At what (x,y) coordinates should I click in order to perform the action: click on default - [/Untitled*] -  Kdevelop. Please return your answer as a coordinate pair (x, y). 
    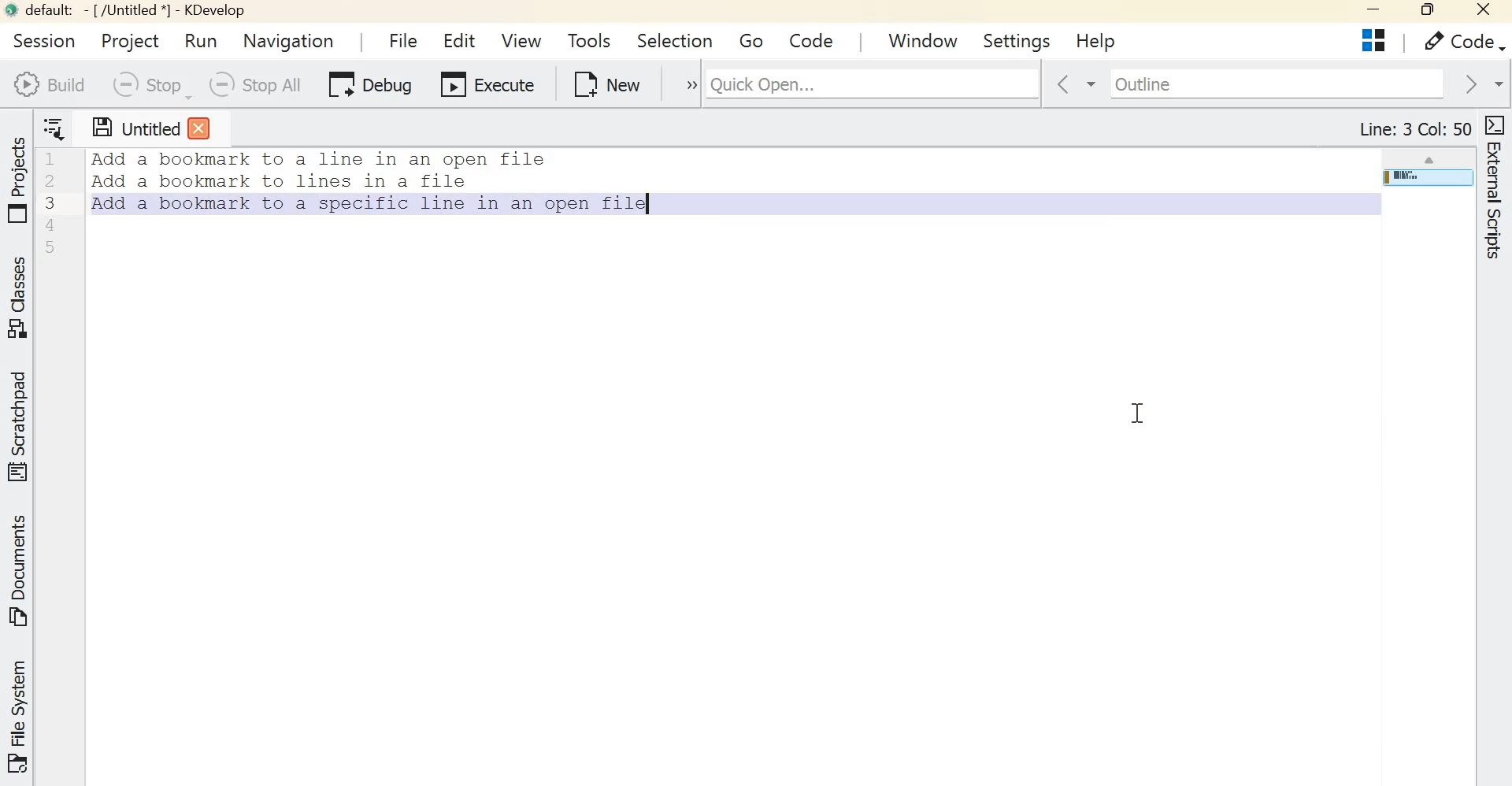
    Looking at the image, I should click on (124, 11).